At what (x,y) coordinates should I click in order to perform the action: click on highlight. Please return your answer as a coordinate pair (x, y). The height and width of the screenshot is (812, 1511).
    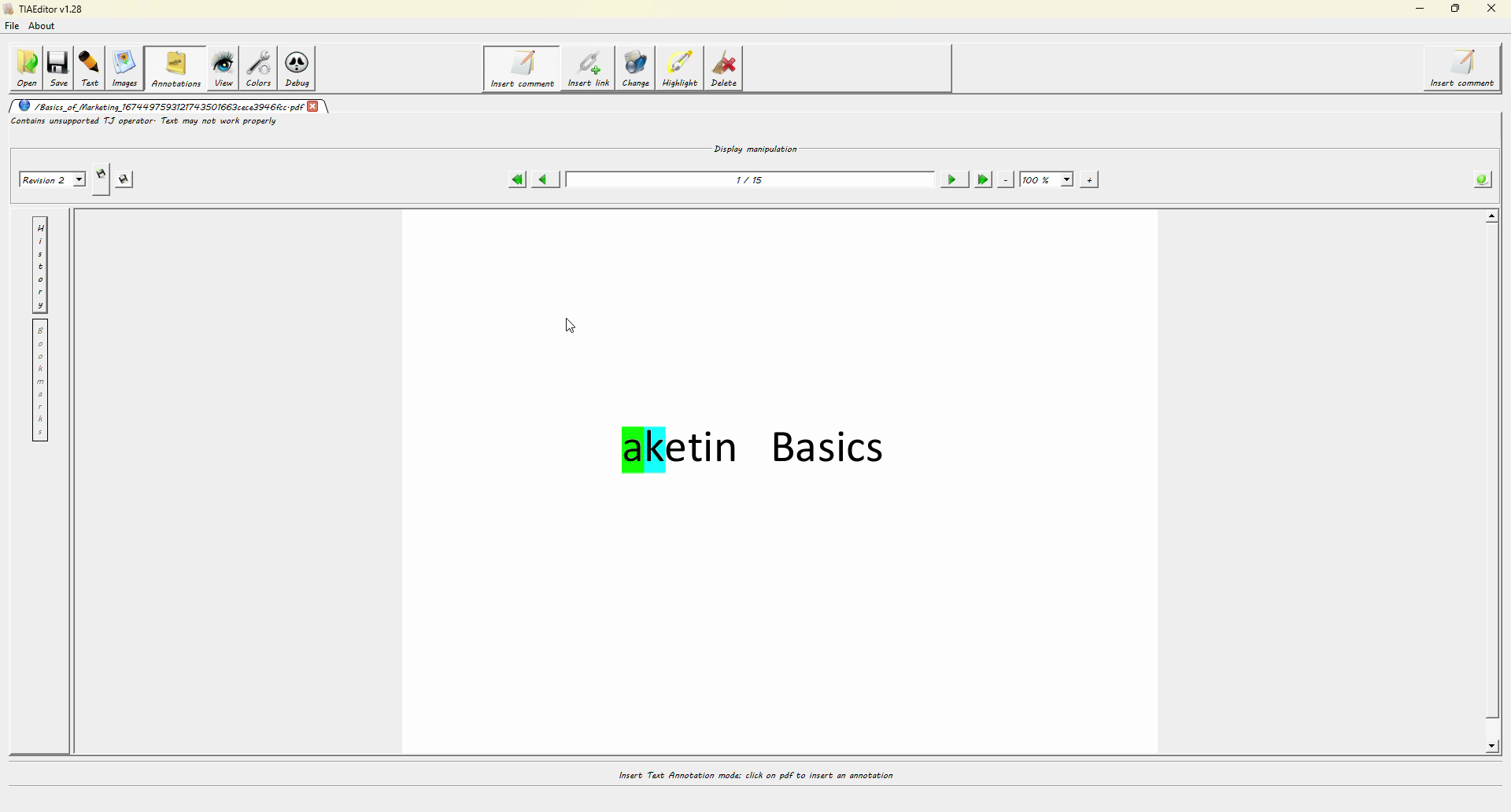
    Looking at the image, I should click on (683, 69).